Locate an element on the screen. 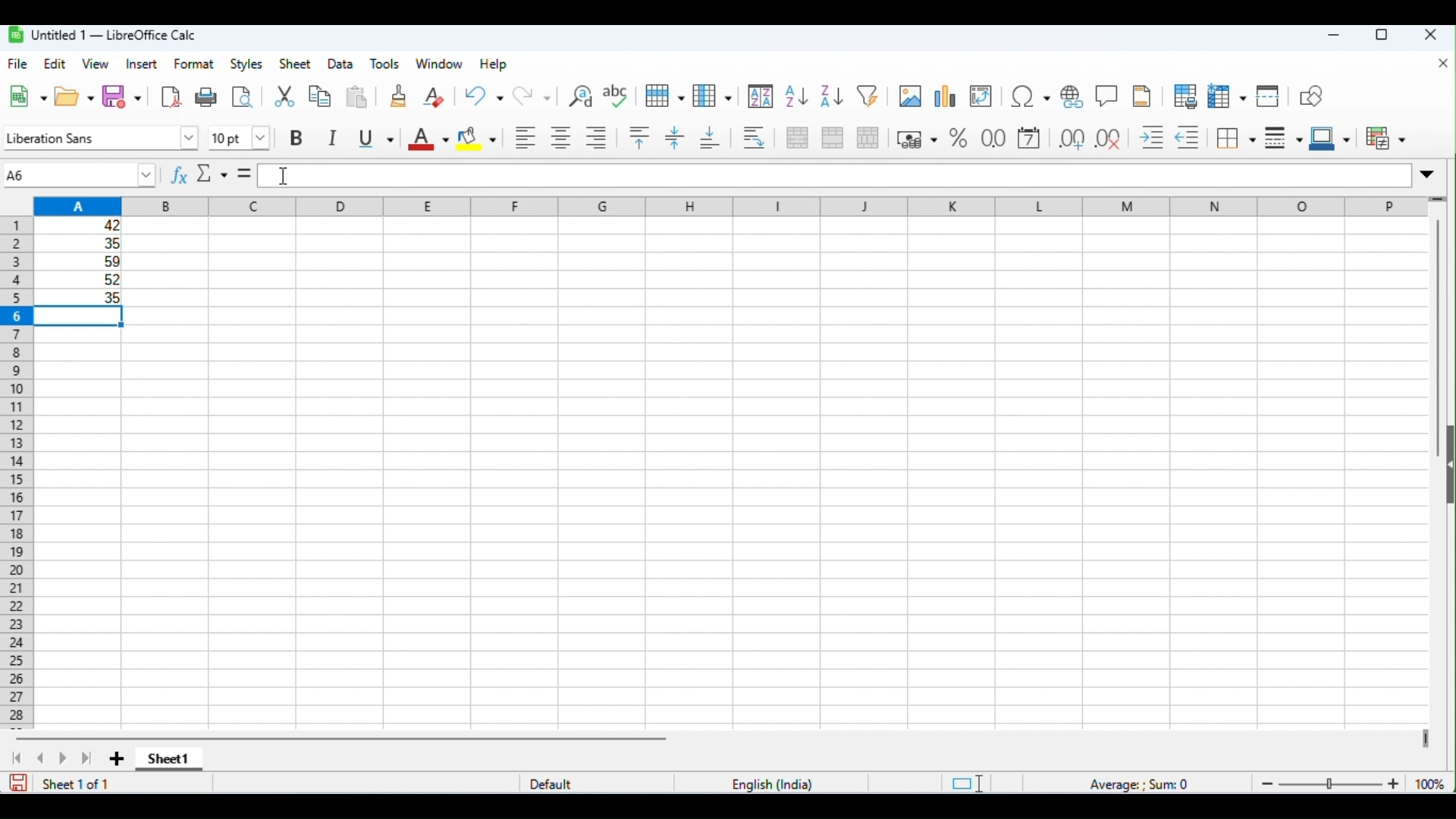  save is located at coordinates (123, 96).